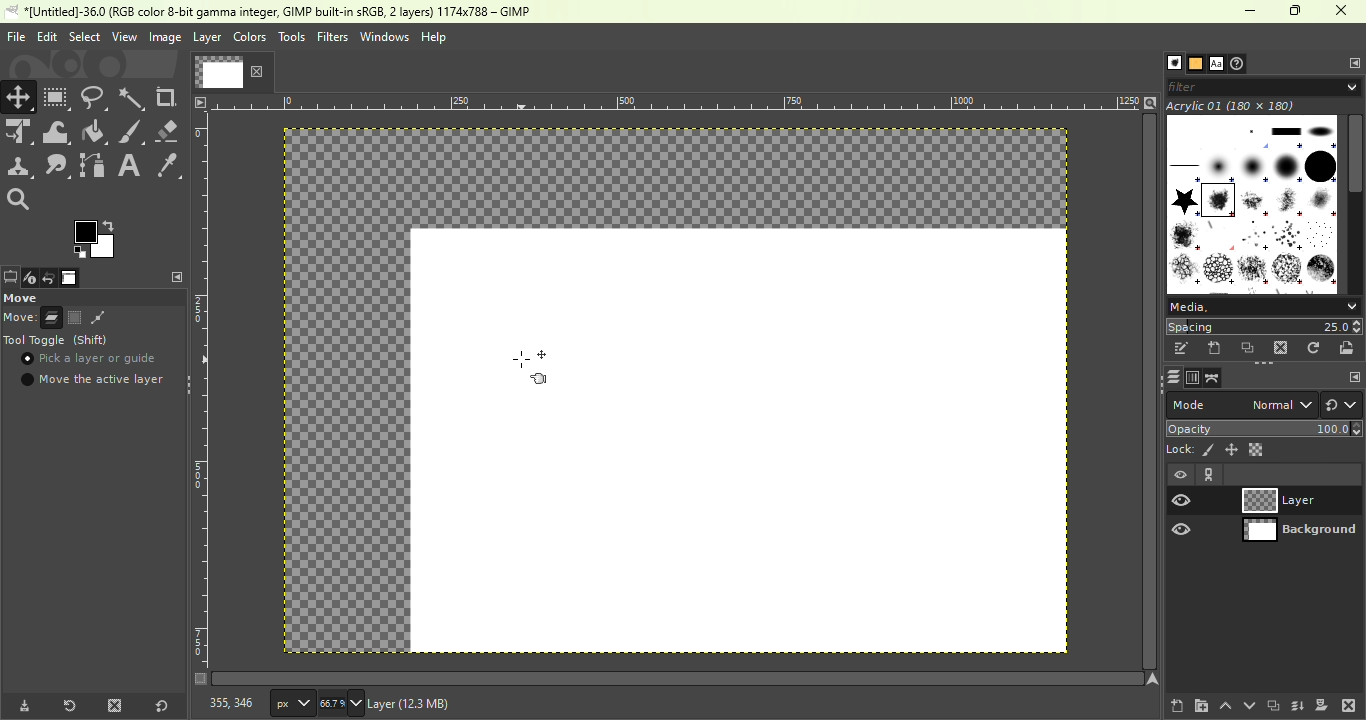  Describe the element at coordinates (342, 703) in the screenshot. I see `Enter image size` at that location.